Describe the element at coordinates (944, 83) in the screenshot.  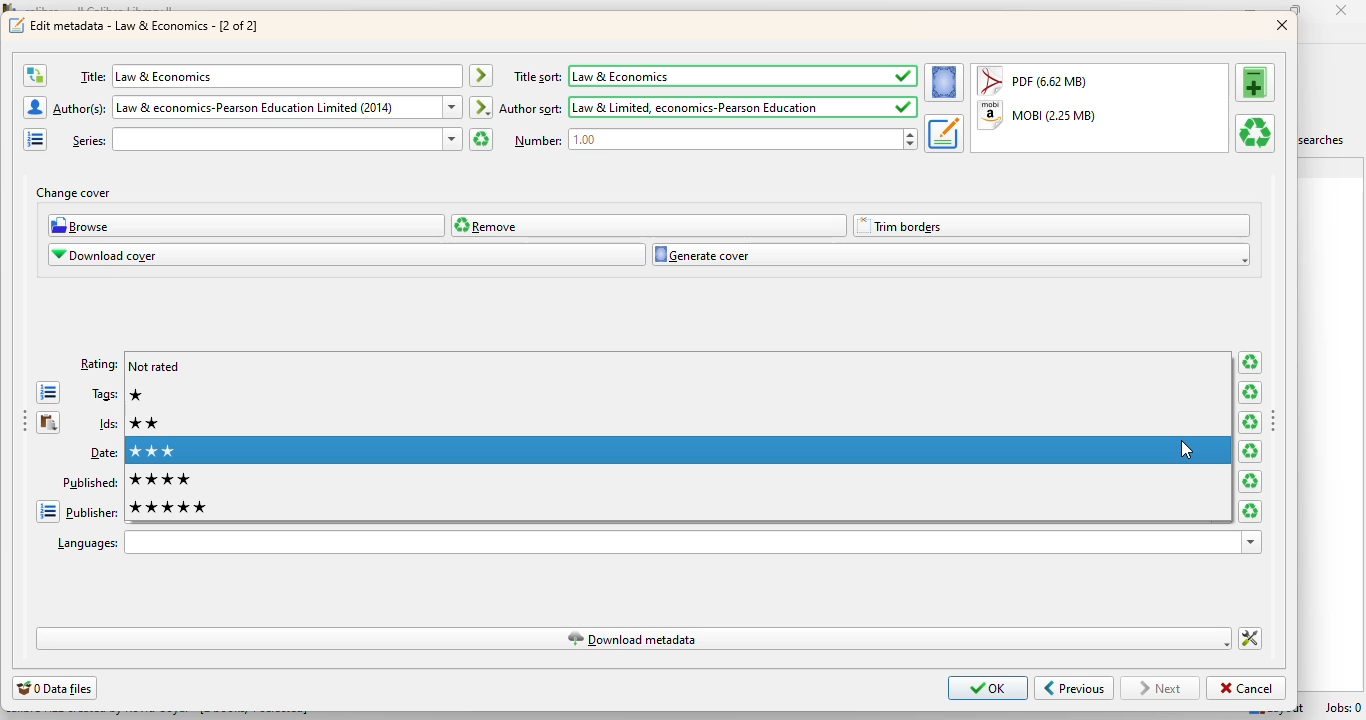
I see `set the cover for the book from the selected format` at that location.